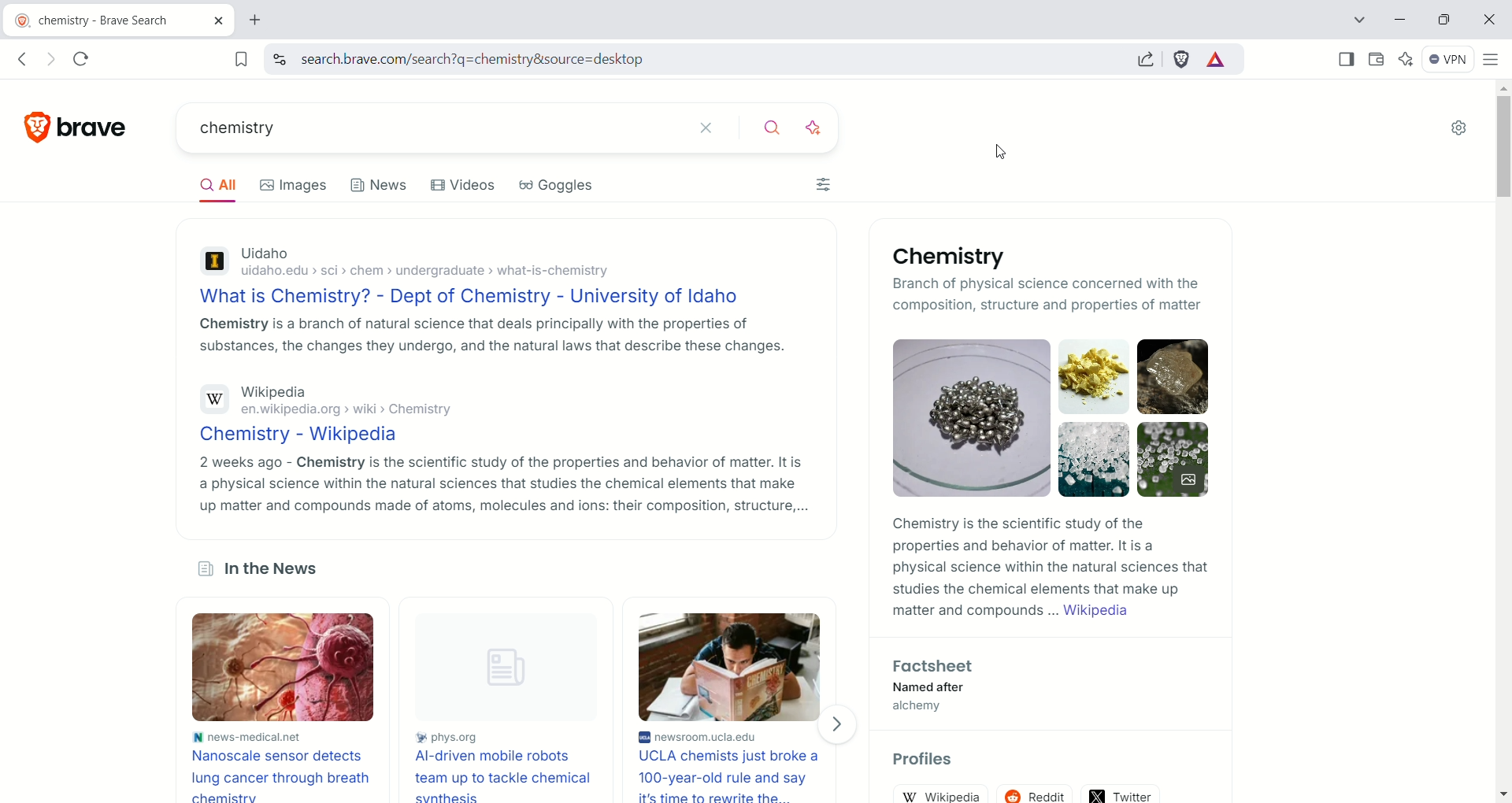 Image resolution: width=1512 pixels, height=803 pixels. I want to click on Profiles, so click(925, 760).